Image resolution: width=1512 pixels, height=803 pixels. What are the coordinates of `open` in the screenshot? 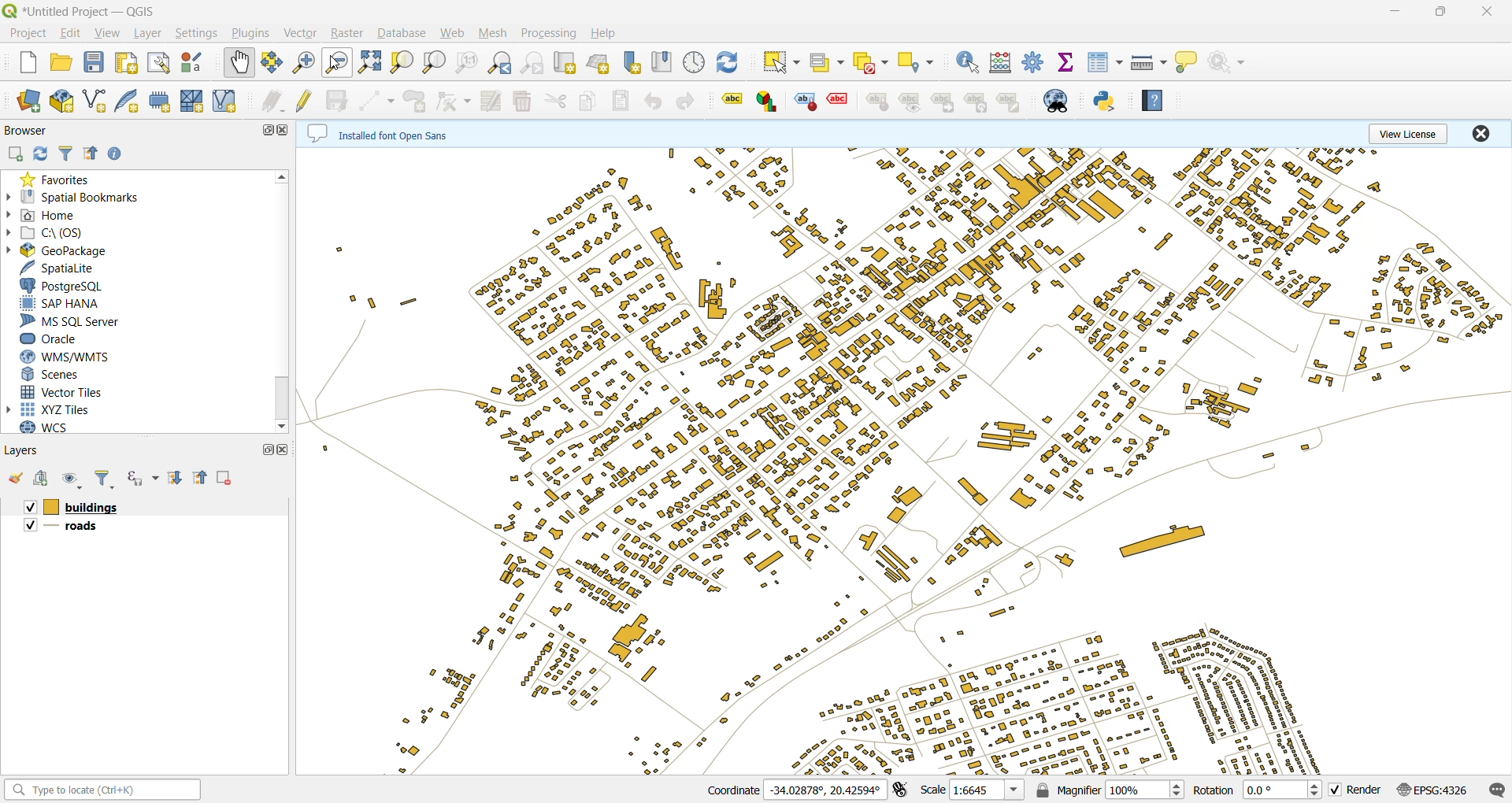 It's located at (61, 64).